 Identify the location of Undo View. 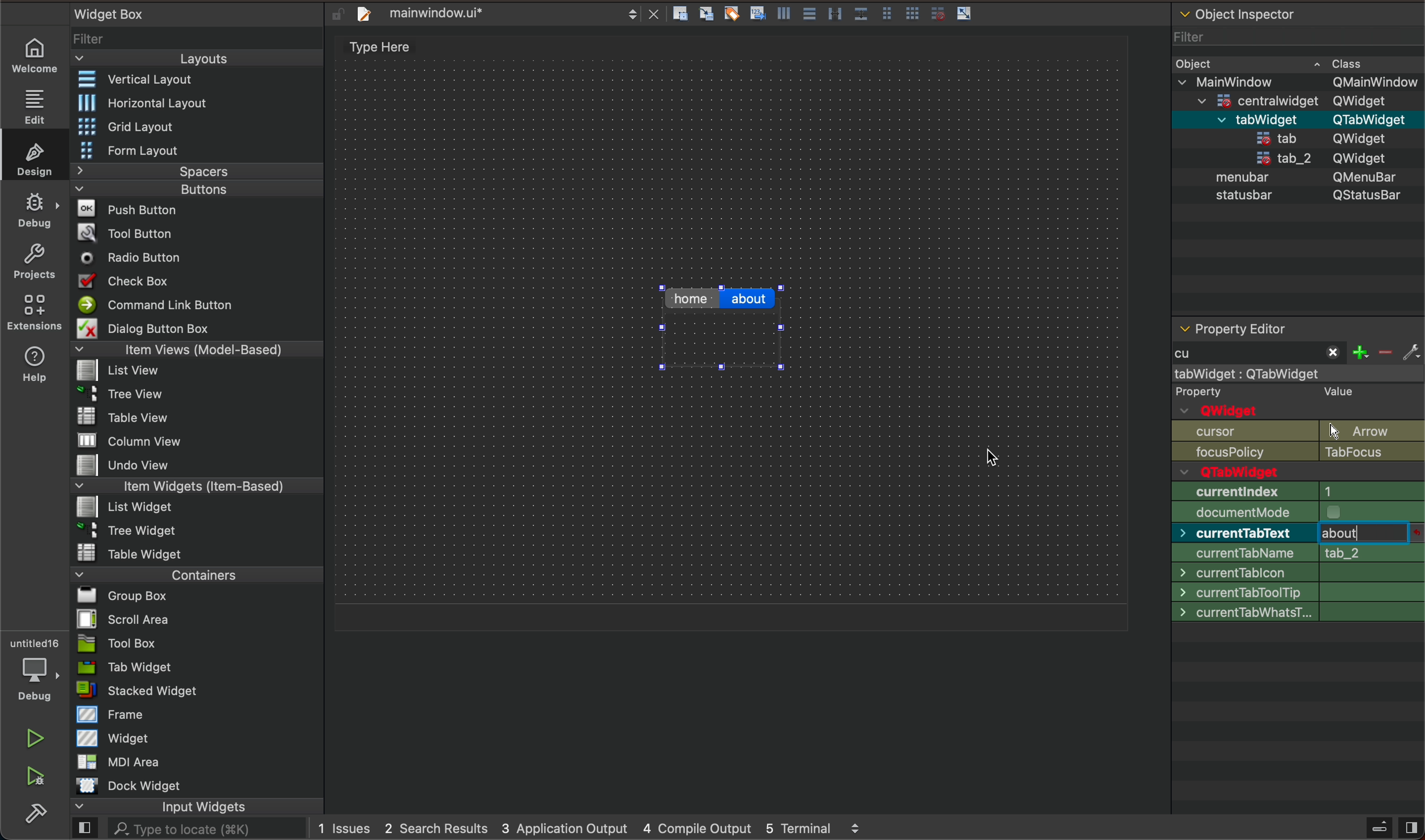
(117, 466).